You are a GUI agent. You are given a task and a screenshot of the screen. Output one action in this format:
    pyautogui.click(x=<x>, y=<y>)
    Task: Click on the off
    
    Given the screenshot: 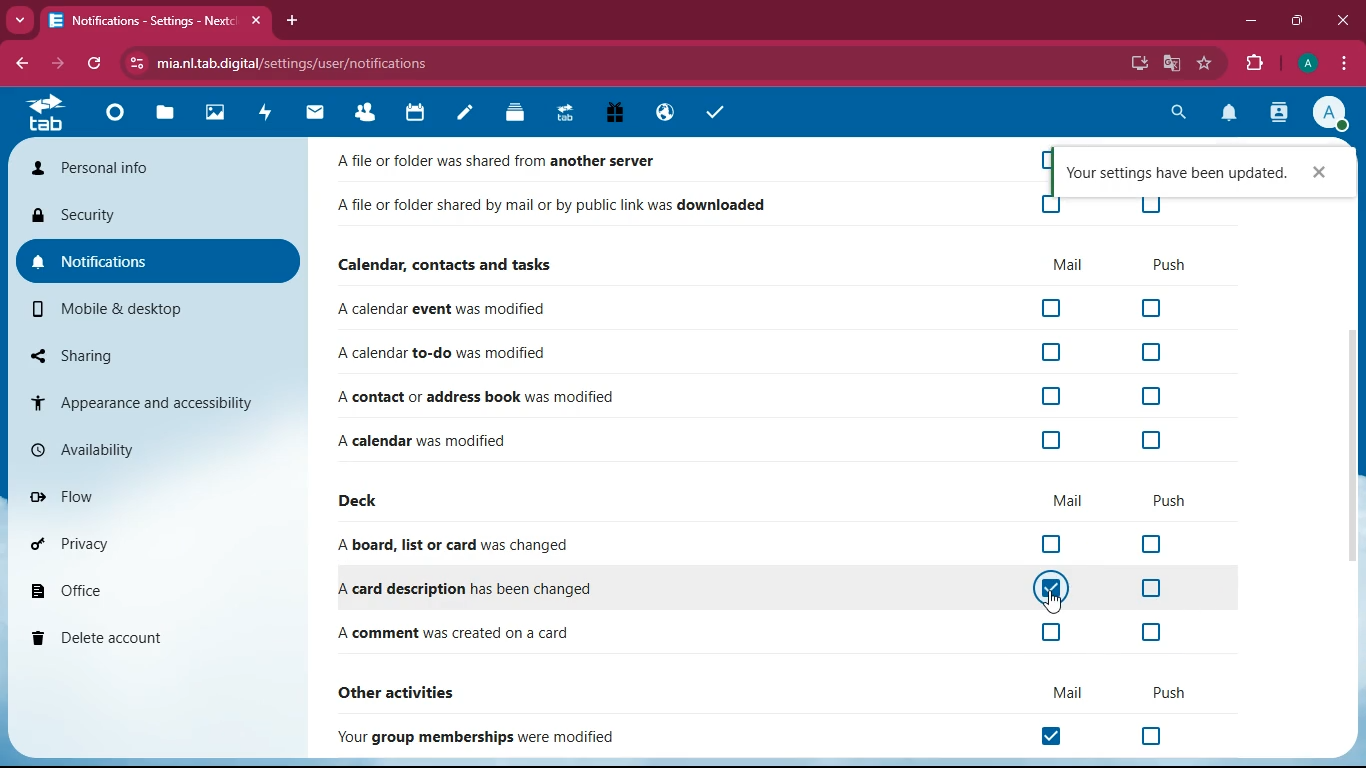 What is the action you would take?
    pyautogui.click(x=1151, y=397)
    